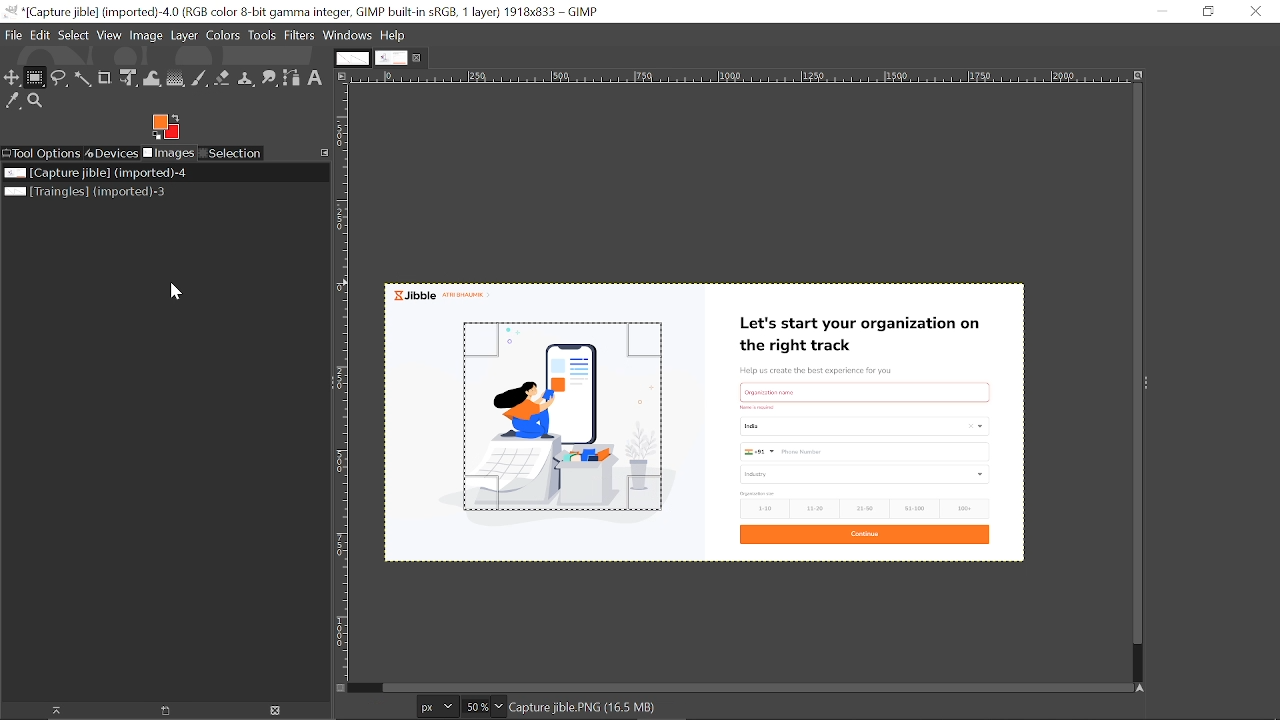 The width and height of the screenshot is (1280, 720). Describe the element at coordinates (180, 294) in the screenshot. I see `Cursor` at that location.